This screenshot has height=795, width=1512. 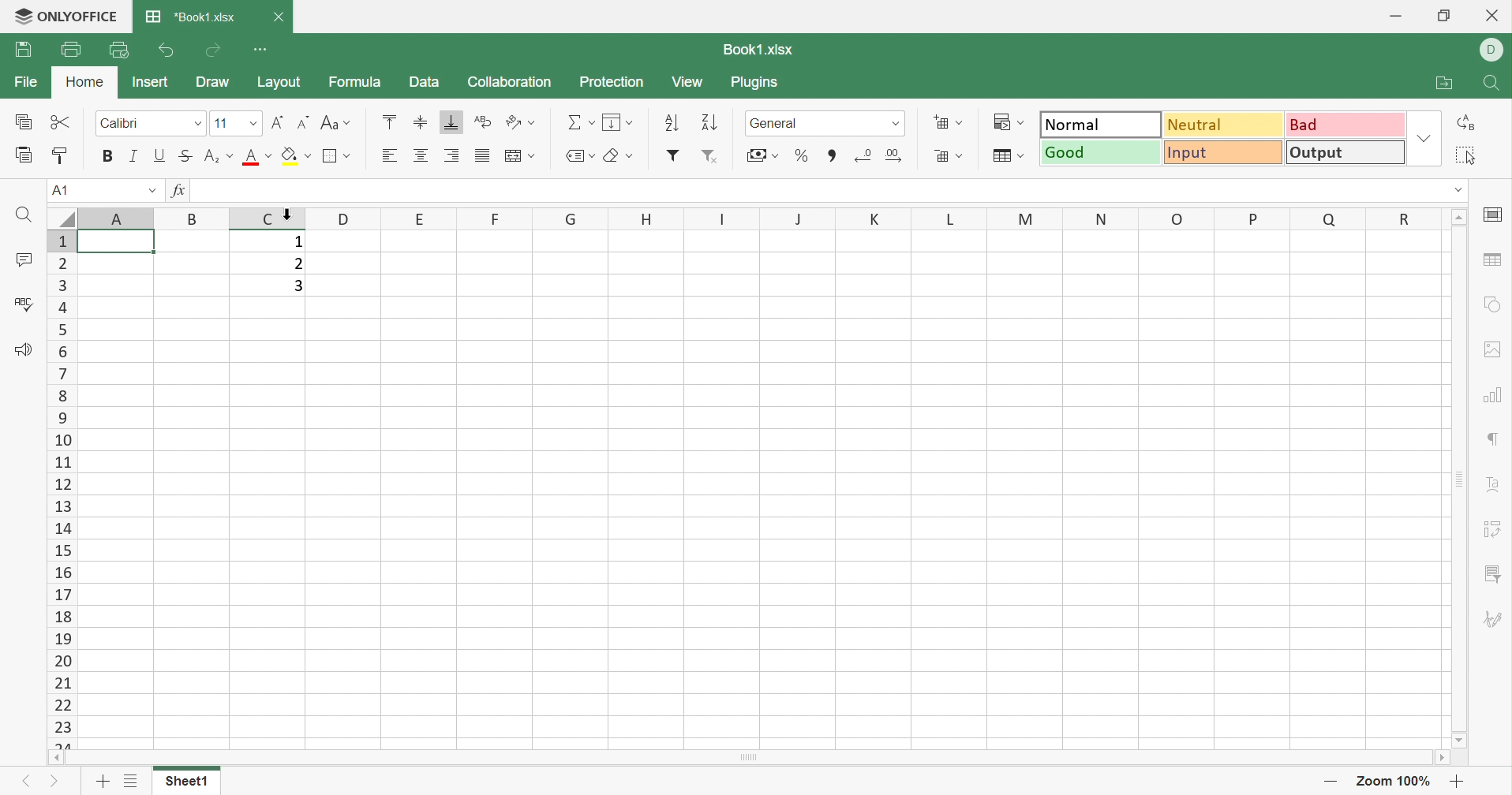 What do you see at coordinates (1491, 574) in the screenshot?
I see `Slicer settings` at bounding box center [1491, 574].